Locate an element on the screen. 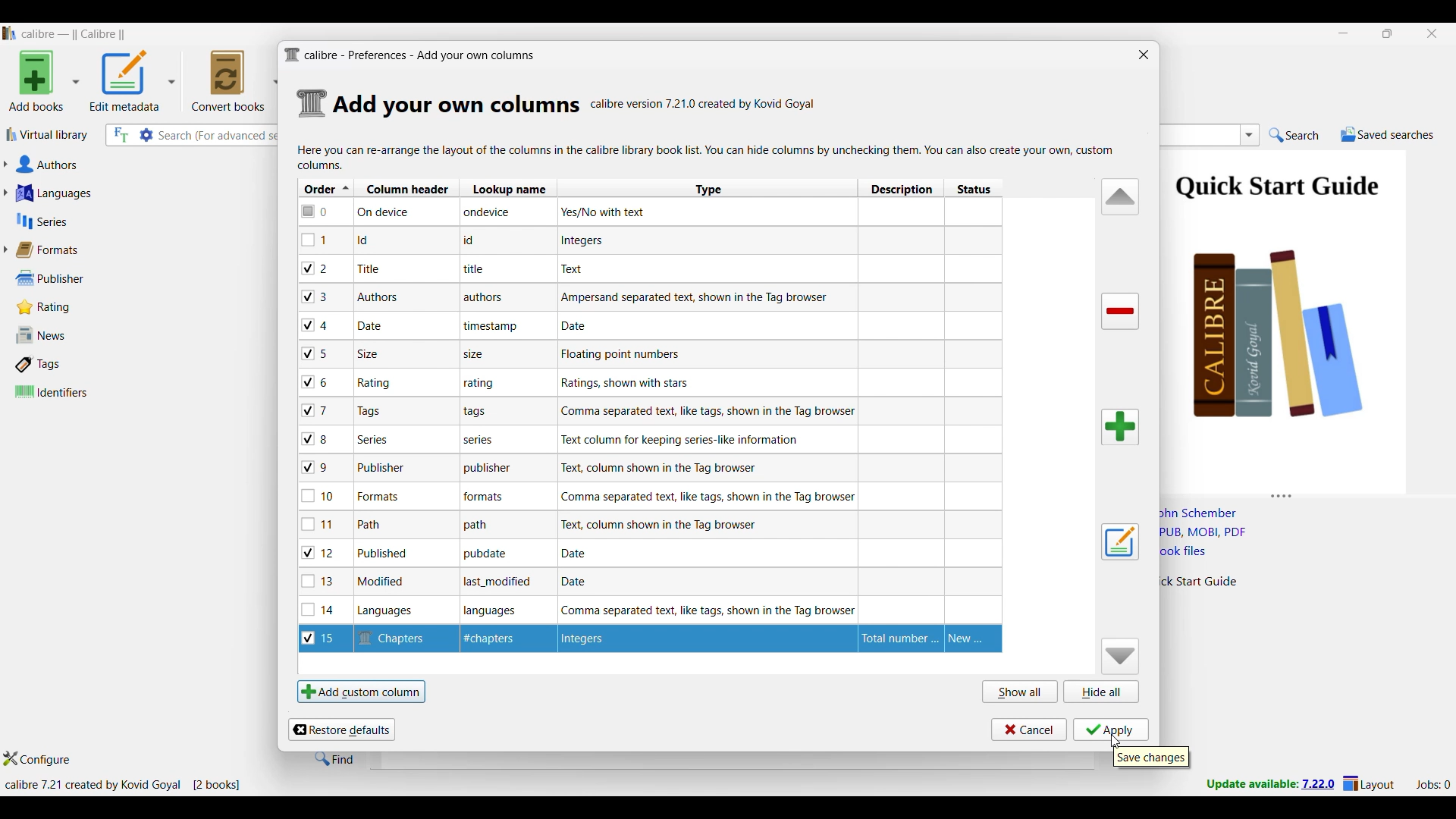  Chapters is located at coordinates (397, 637).